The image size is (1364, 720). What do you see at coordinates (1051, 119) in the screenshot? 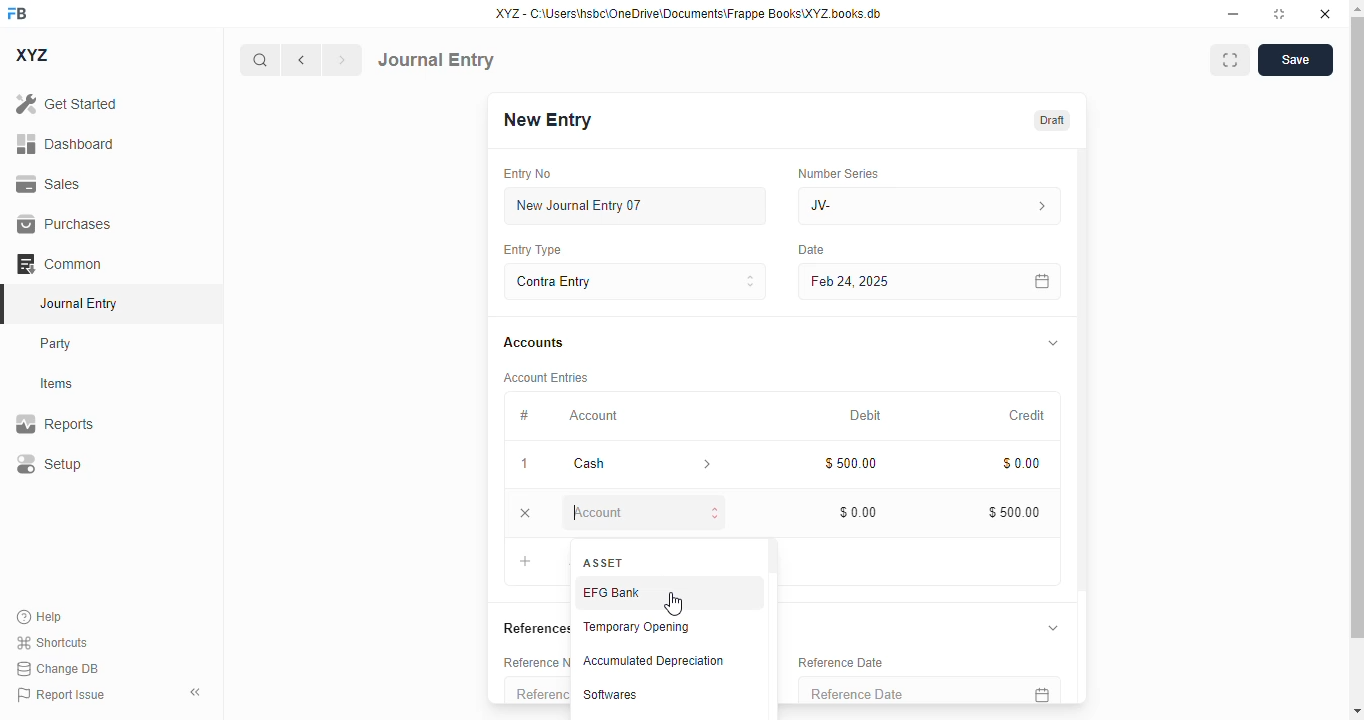
I see `draft` at bounding box center [1051, 119].